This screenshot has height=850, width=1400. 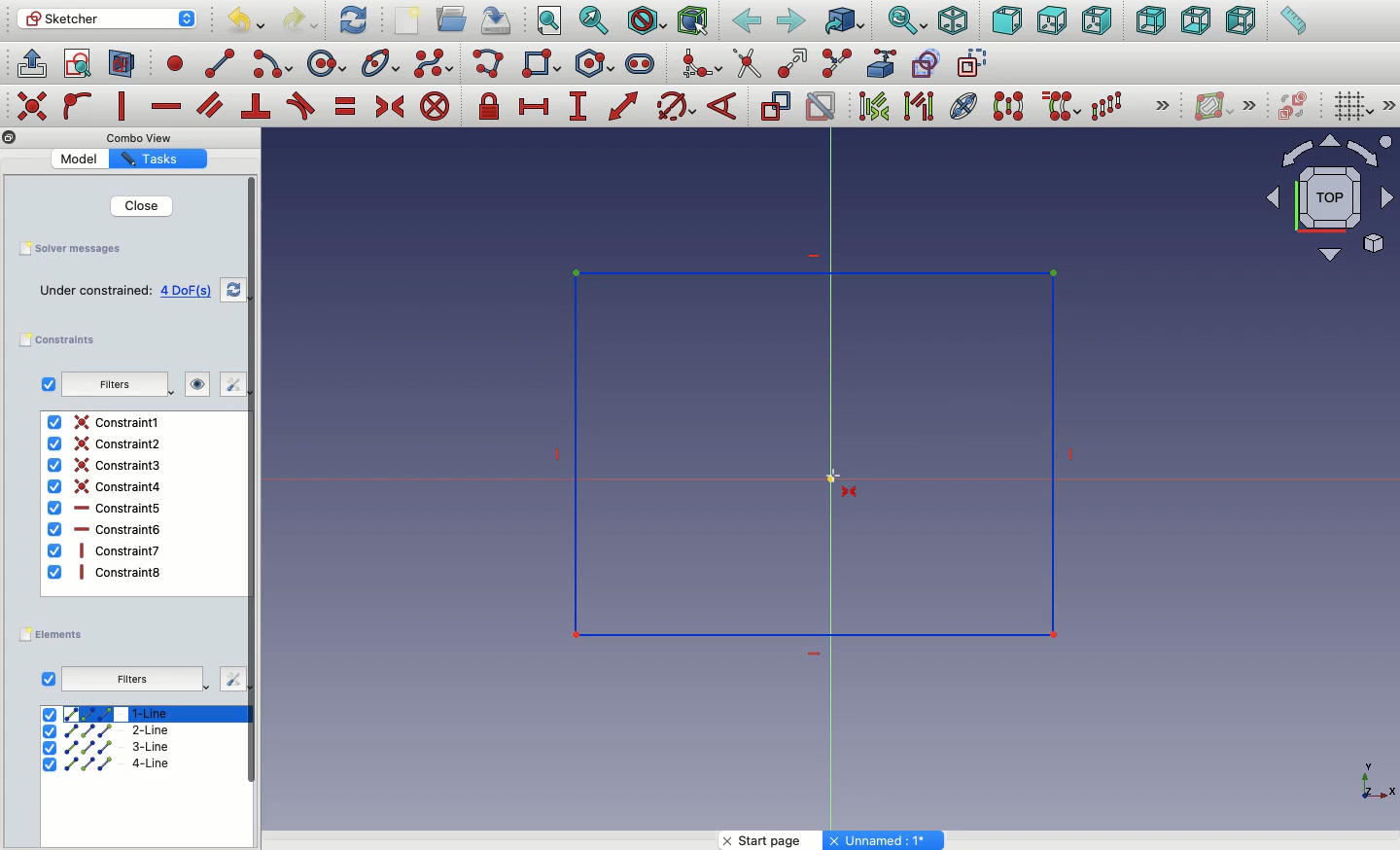 What do you see at coordinates (906, 21) in the screenshot?
I see `Sync view` at bounding box center [906, 21].